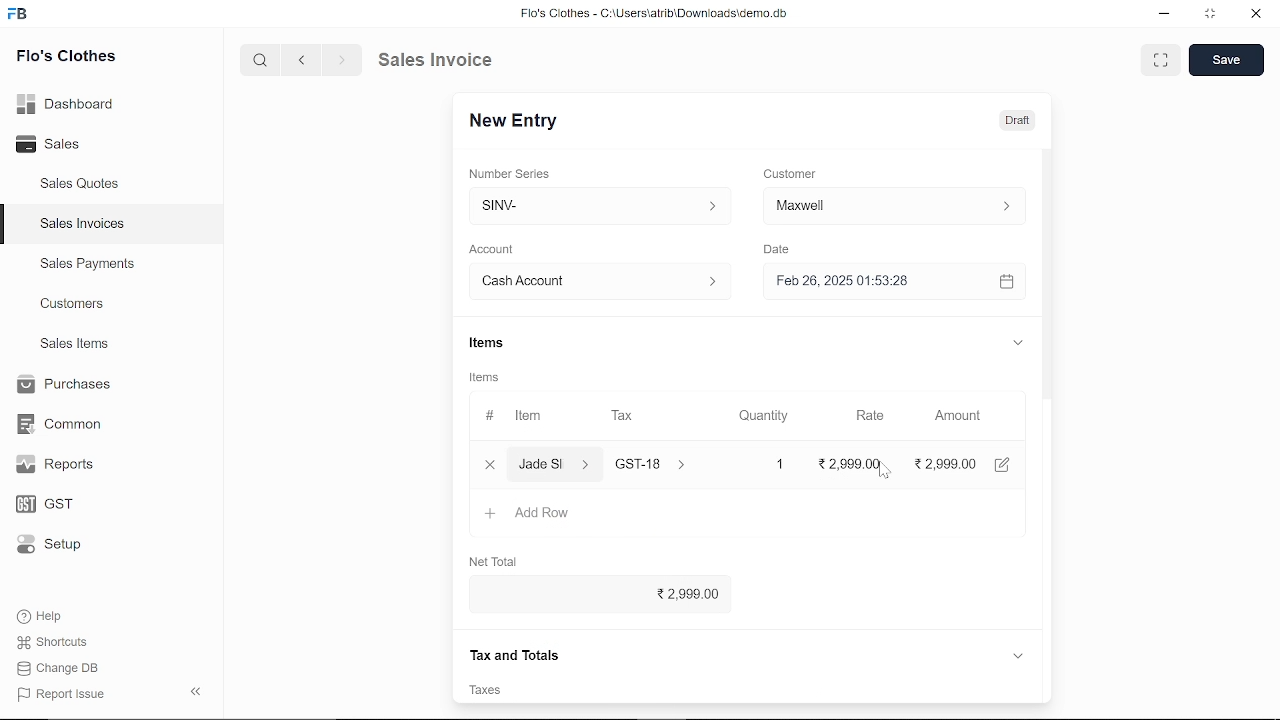  What do you see at coordinates (517, 417) in the screenshot?
I see `Item` at bounding box center [517, 417].